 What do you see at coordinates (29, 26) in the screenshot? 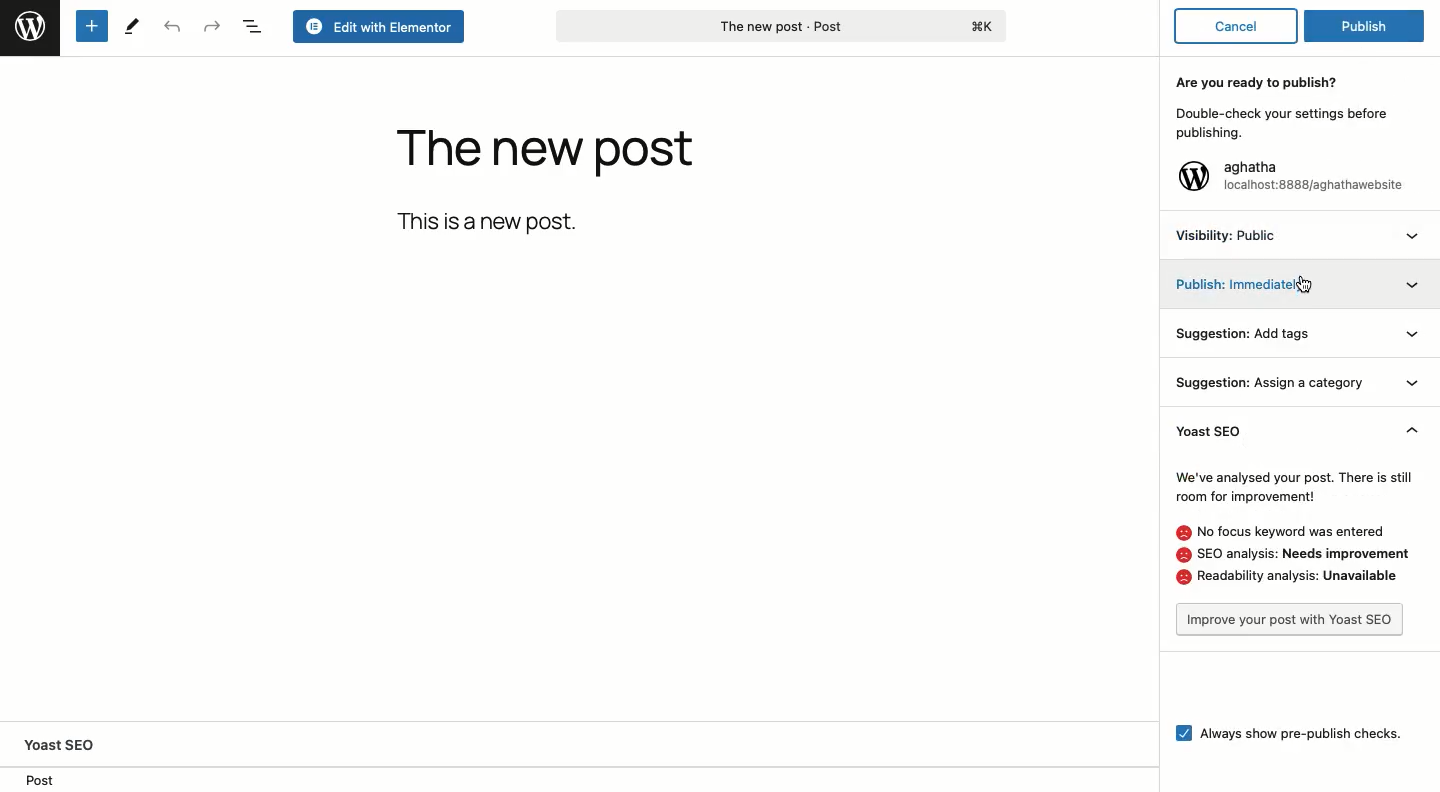
I see `Wordpress logo` at bounding box center [29, 26].